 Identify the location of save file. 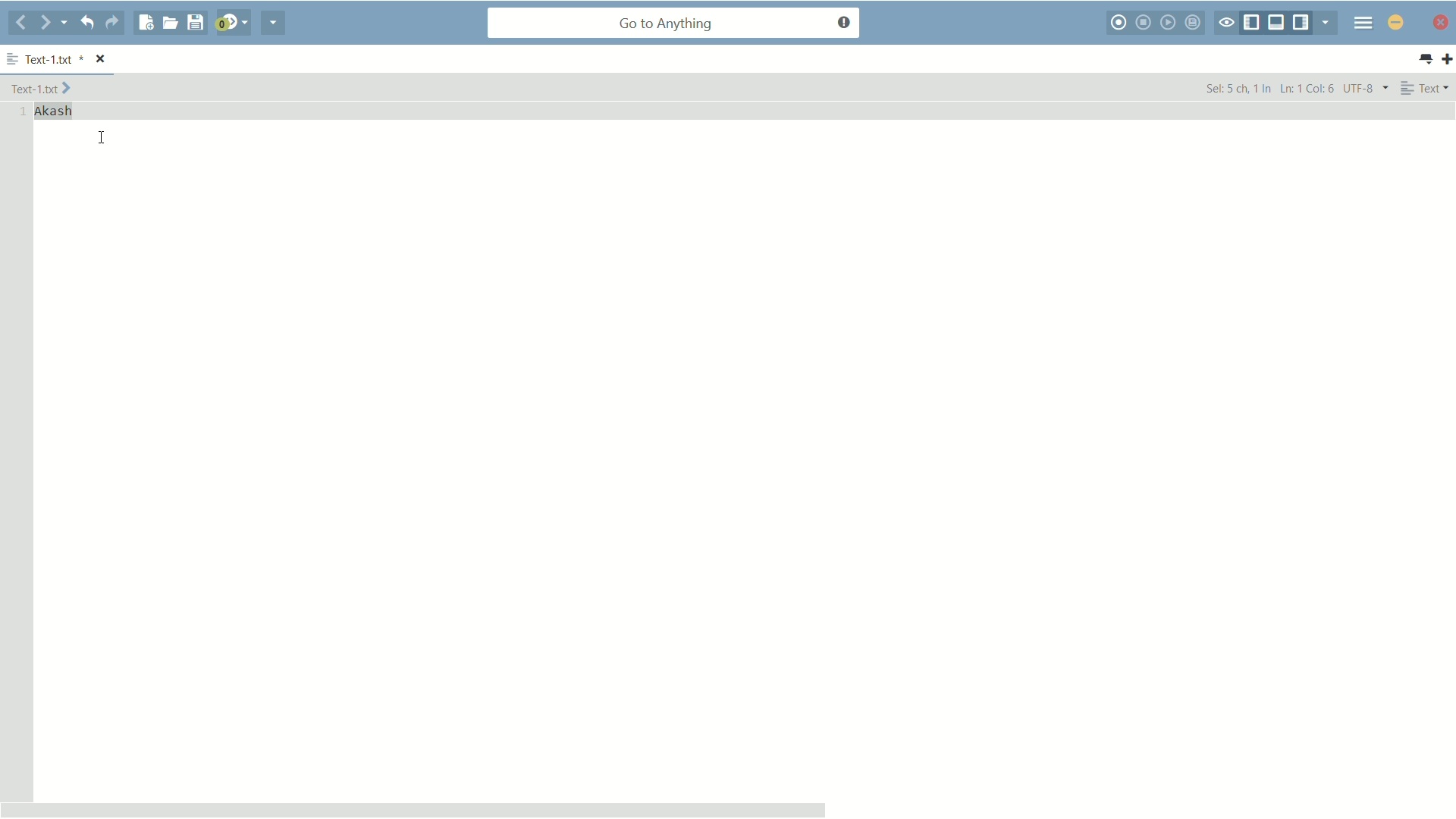
(195, 24).